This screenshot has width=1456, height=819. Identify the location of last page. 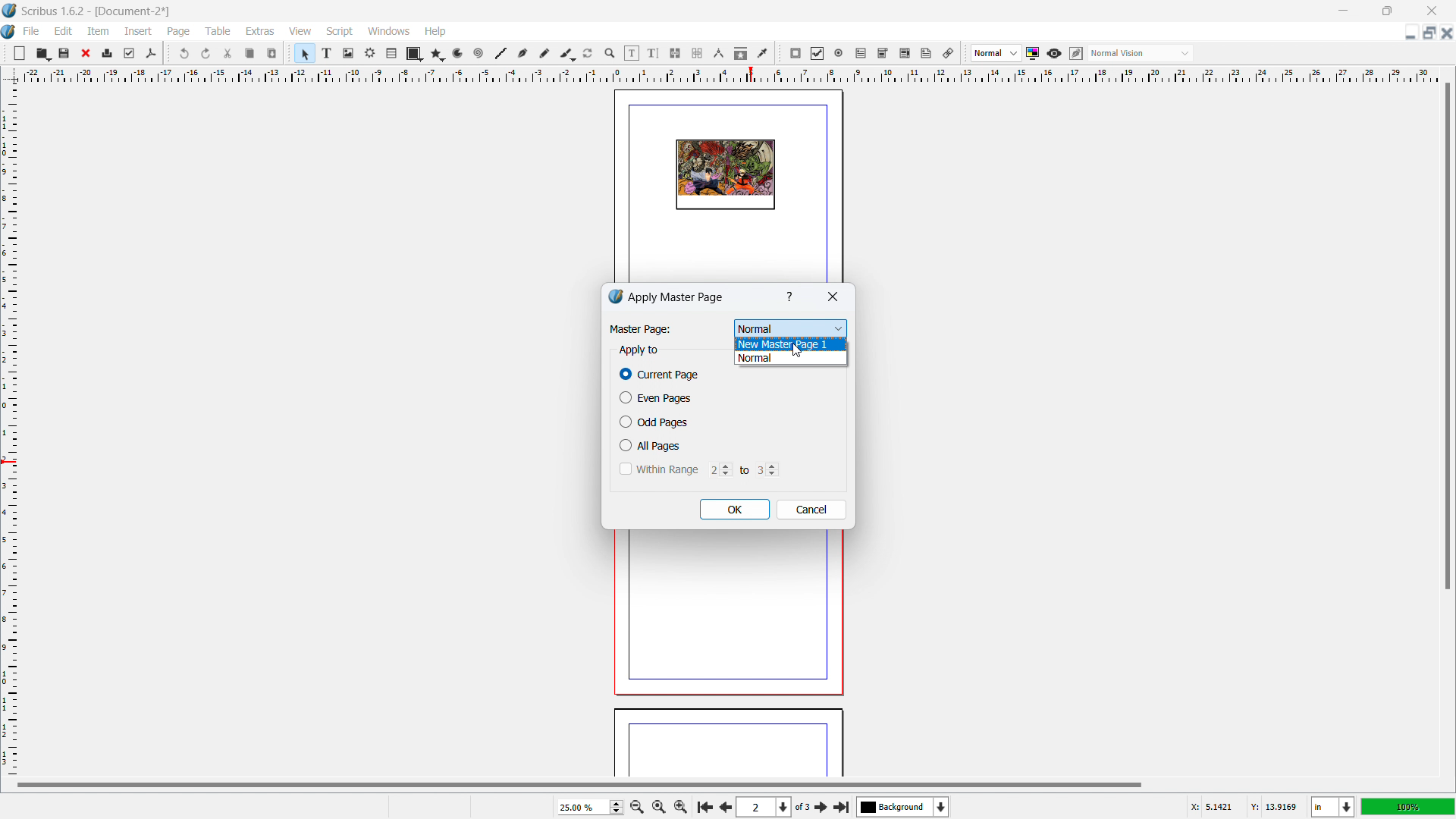
(841, 805).